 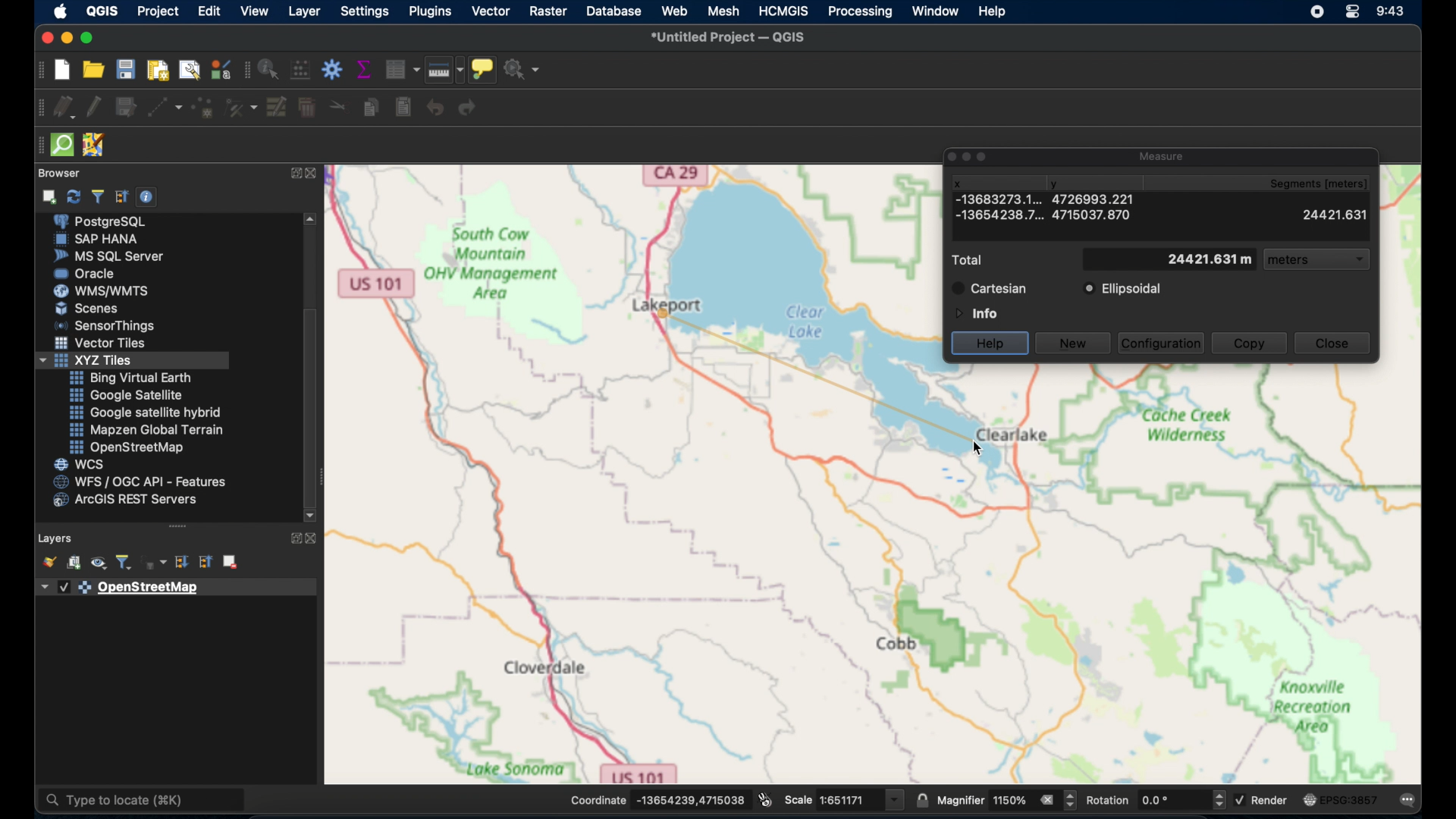 What do you see at coordinates (657, 799) in the screenshot?
I see `coordinate` at bounding box center [657, 799].